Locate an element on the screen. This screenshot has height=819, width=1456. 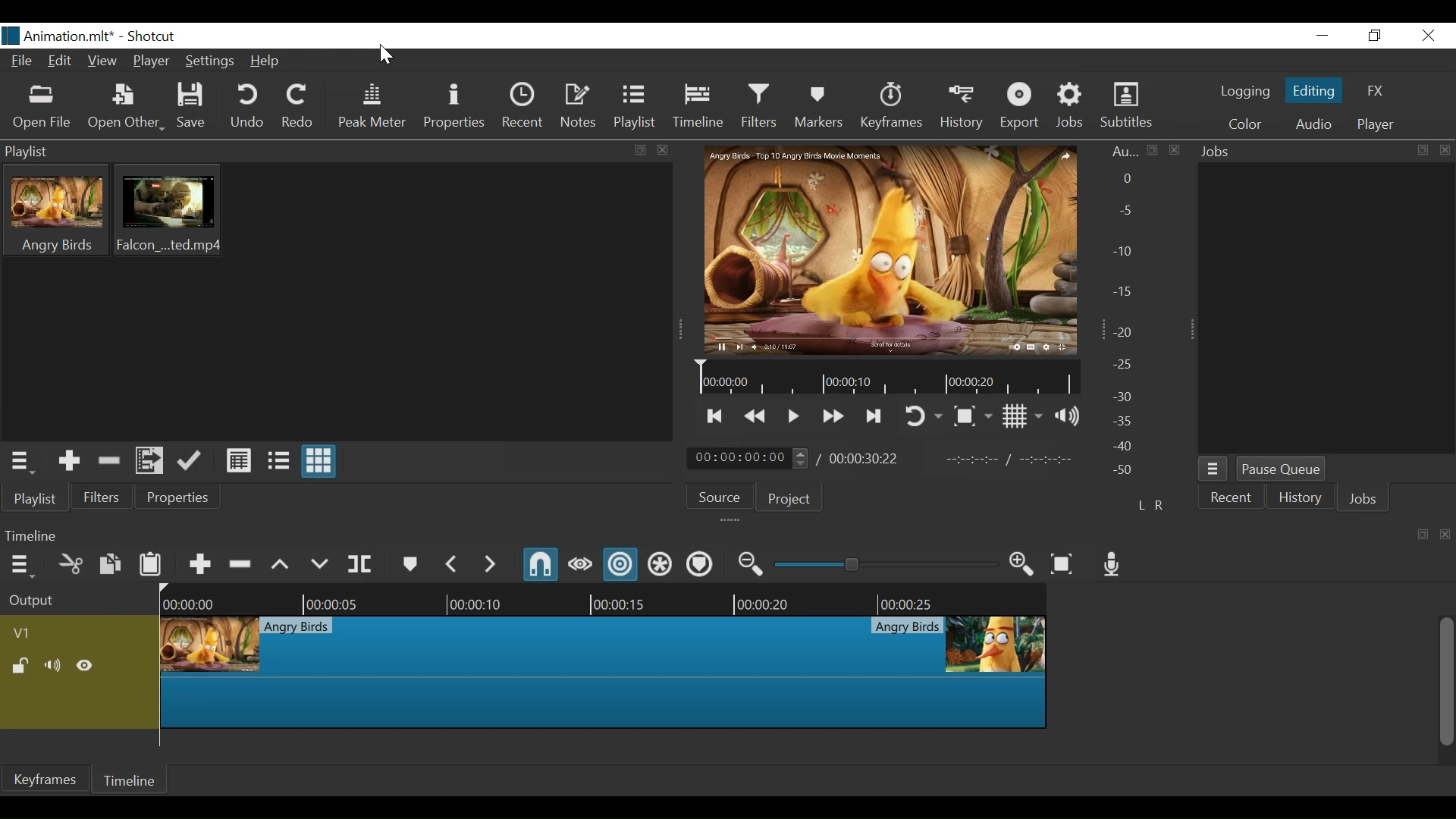
Properties is located at coordinates (179, 497).